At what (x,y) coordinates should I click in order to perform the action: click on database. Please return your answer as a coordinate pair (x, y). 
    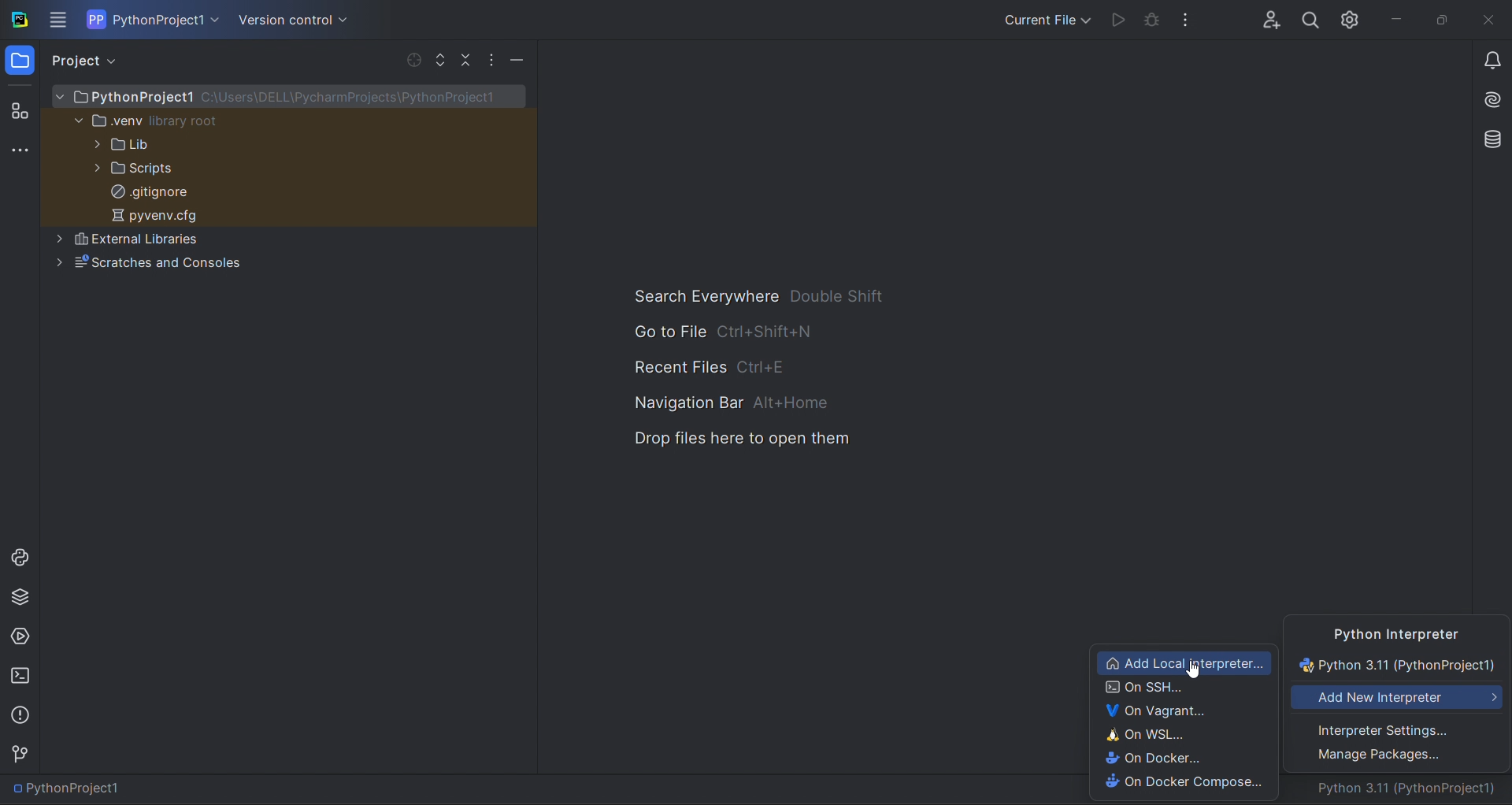
    Looking at the image, I should click on (1488, 138).